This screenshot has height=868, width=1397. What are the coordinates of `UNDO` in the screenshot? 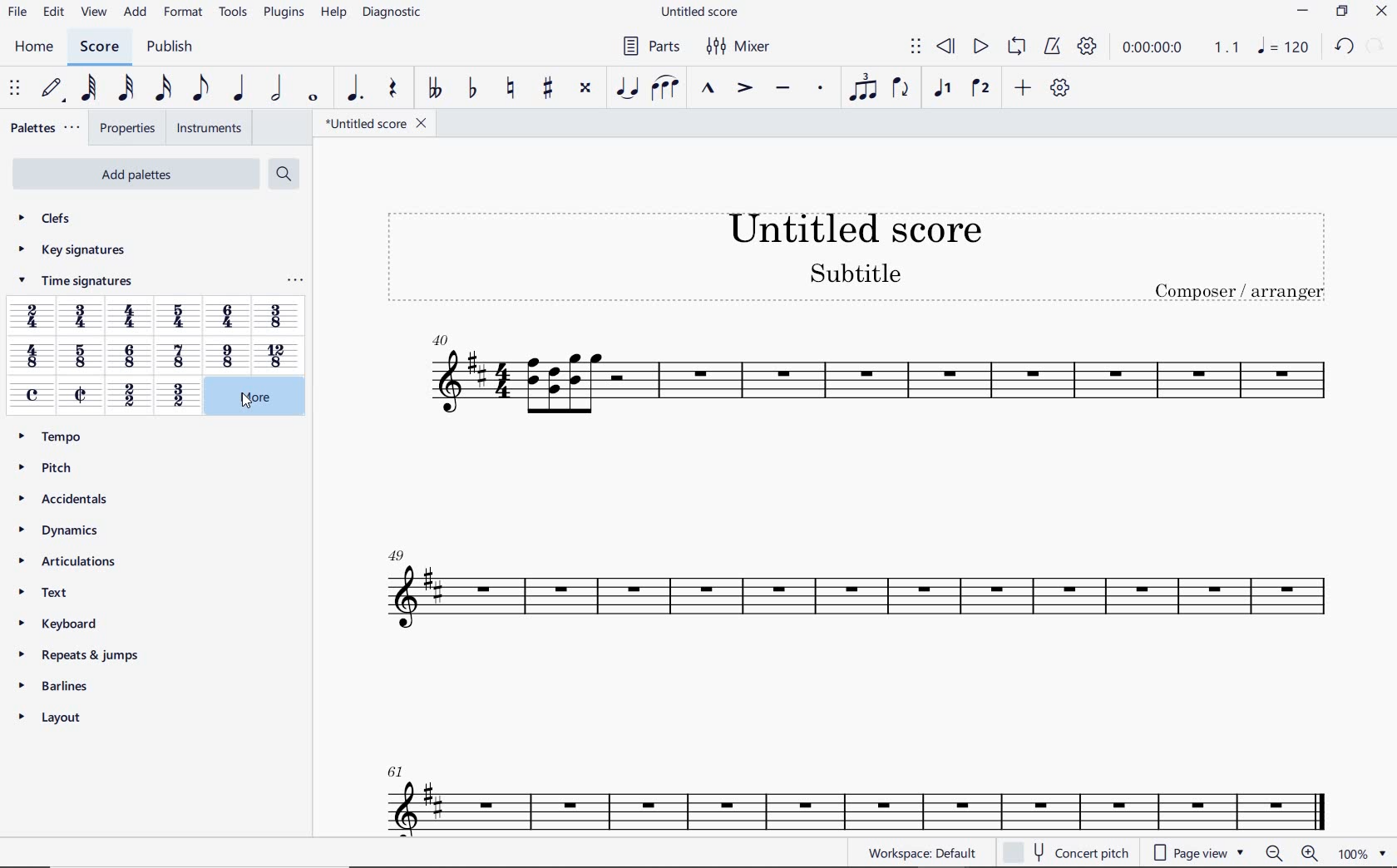 It's located at (1342, 45).